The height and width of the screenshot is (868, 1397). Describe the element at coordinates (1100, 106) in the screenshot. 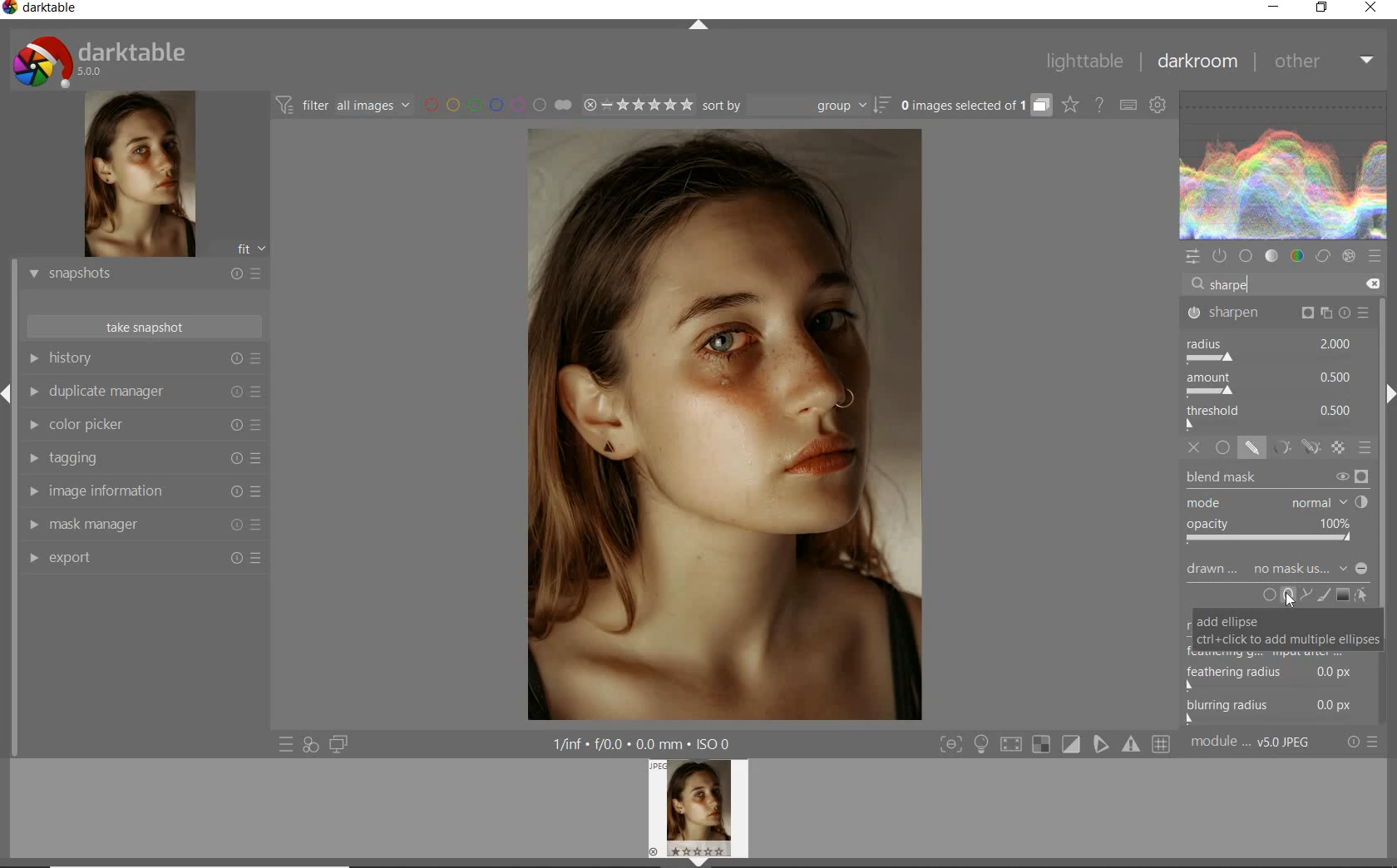

I see `enable online help` at that location.